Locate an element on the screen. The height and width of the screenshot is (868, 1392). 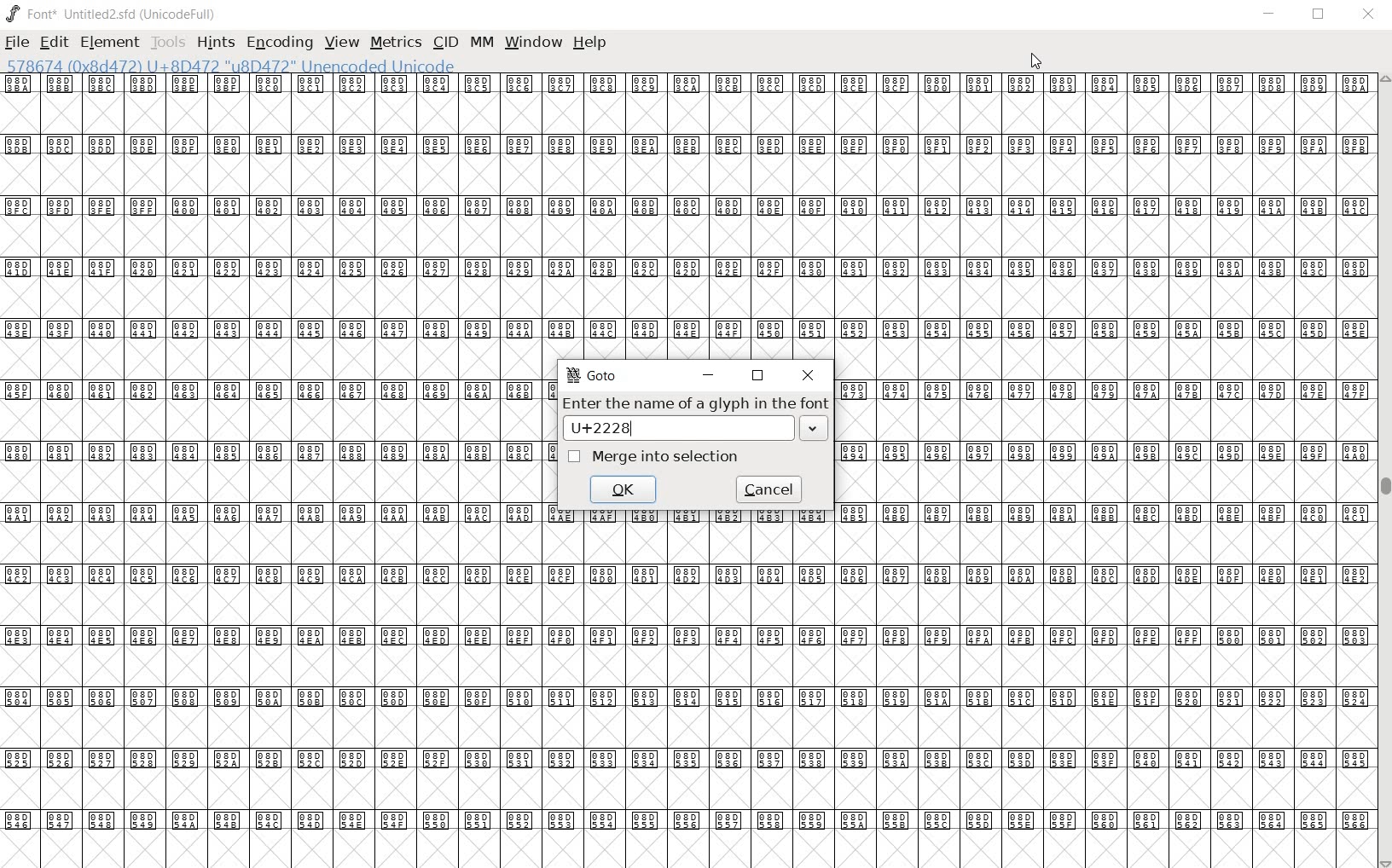
minimize is located at coordinates (710, 376).